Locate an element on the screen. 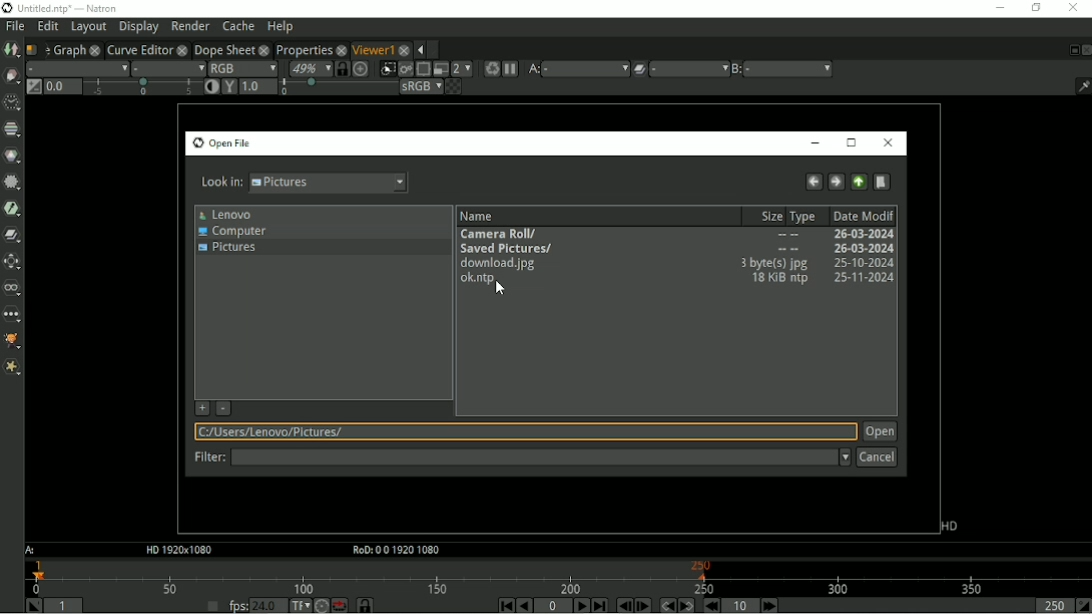  File is located at coordinates (15, 27).